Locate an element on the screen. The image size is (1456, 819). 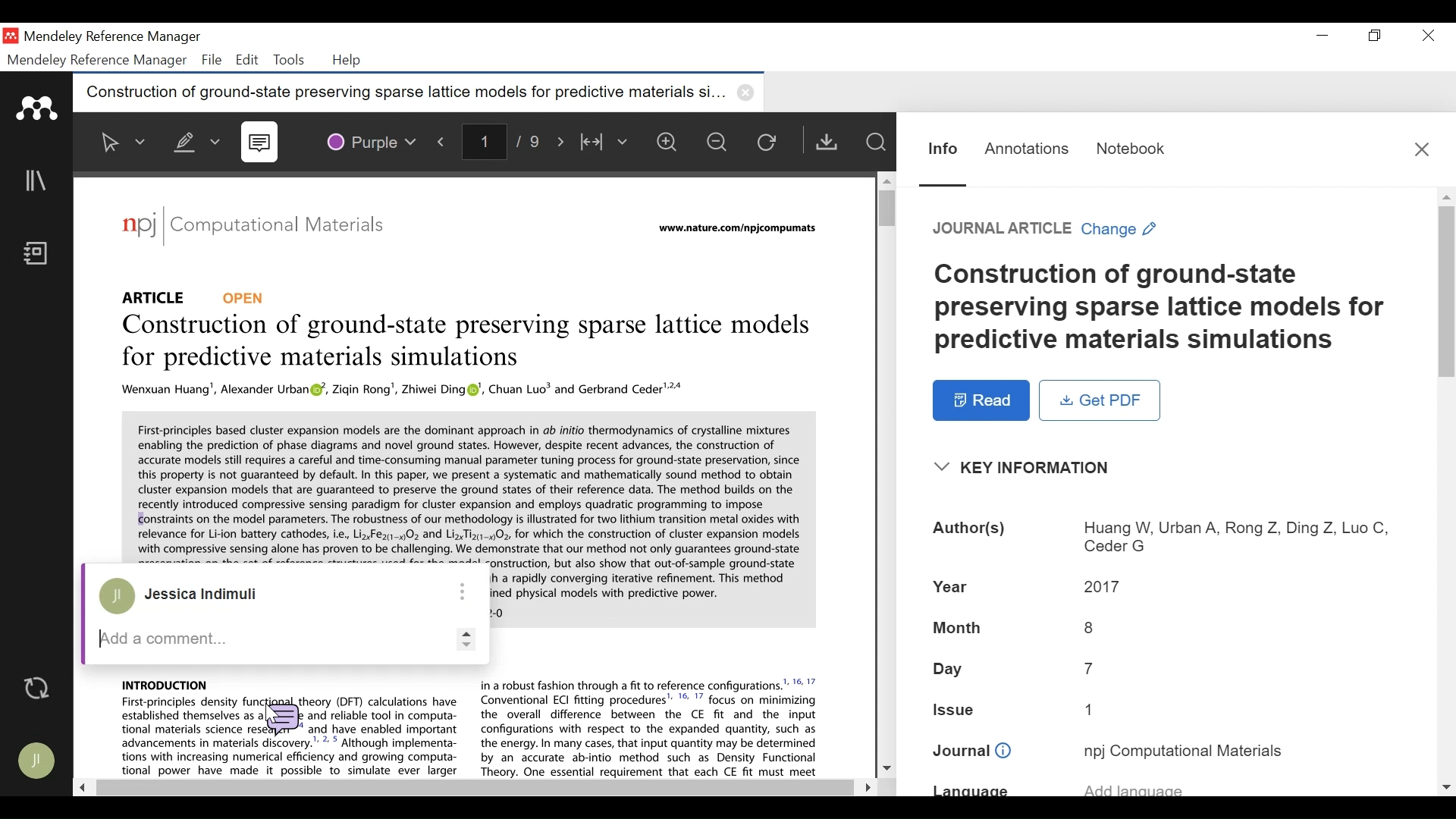
Information is located at coordinates (940, 147).